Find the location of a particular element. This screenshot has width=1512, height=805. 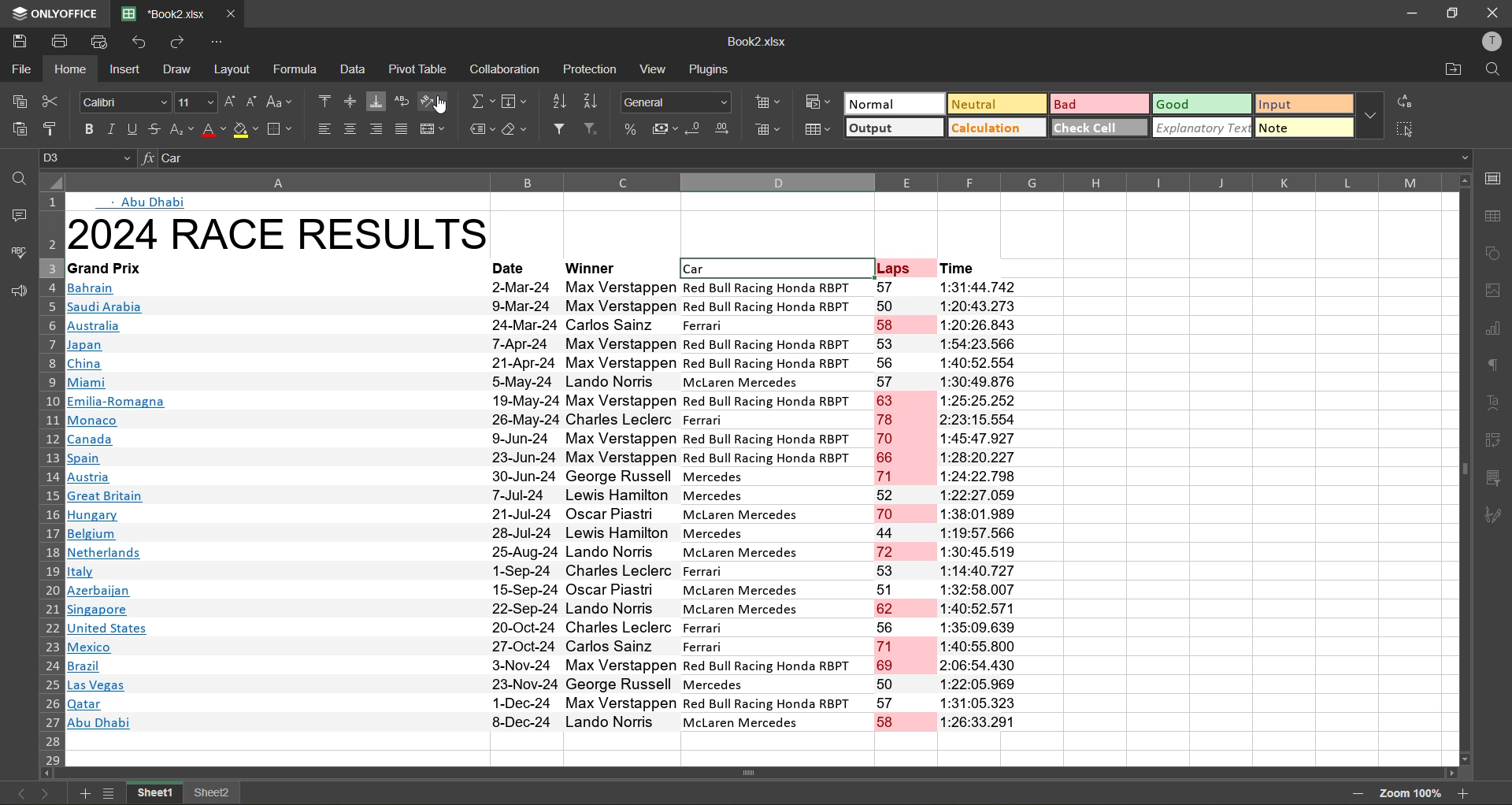

fields is located at coordinates (519, 106).